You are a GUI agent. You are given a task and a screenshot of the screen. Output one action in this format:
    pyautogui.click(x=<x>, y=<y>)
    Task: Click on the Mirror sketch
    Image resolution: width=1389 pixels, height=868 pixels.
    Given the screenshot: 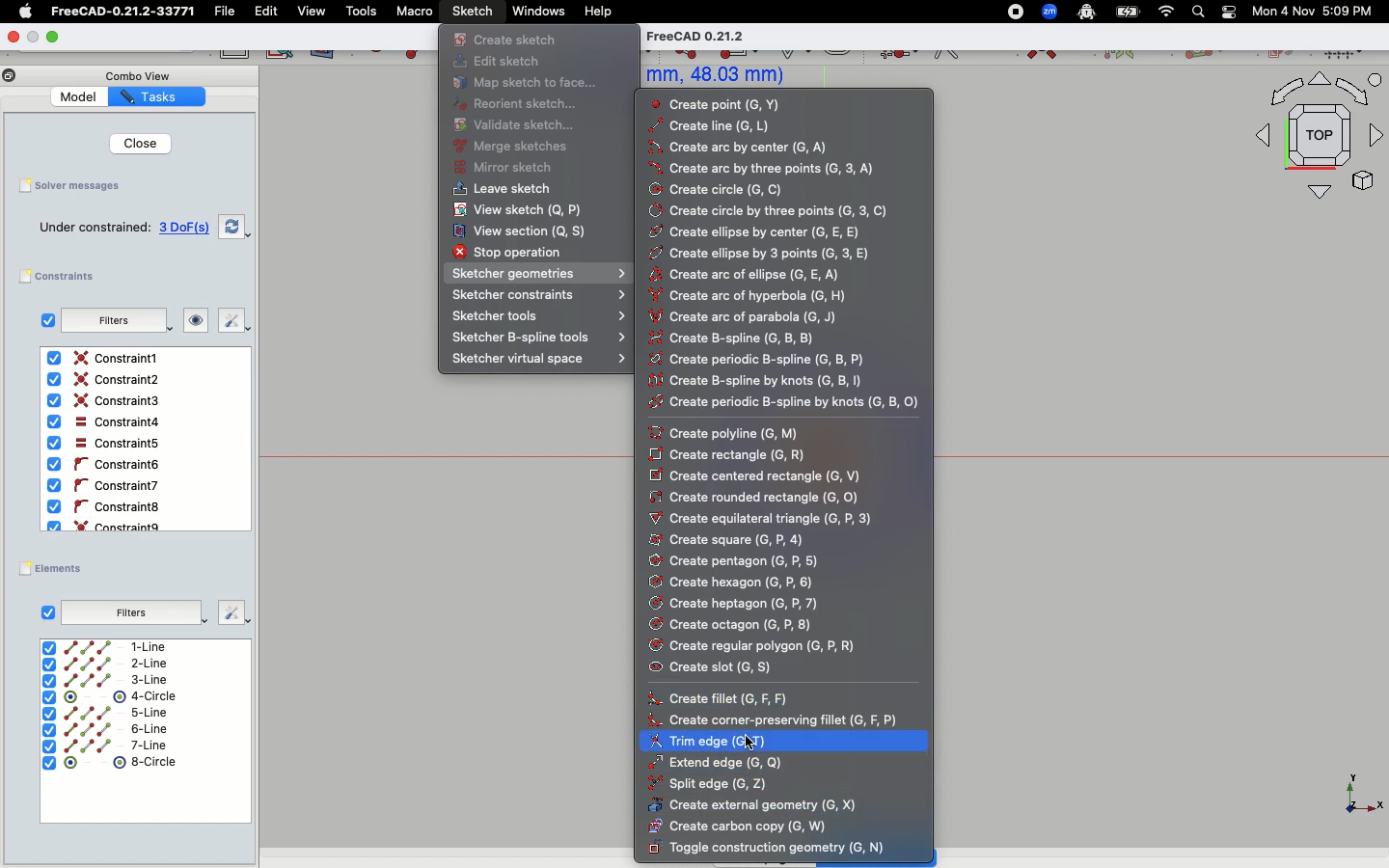 What is the action you would take?
    pyautogui.click(x=536, y=167)
    